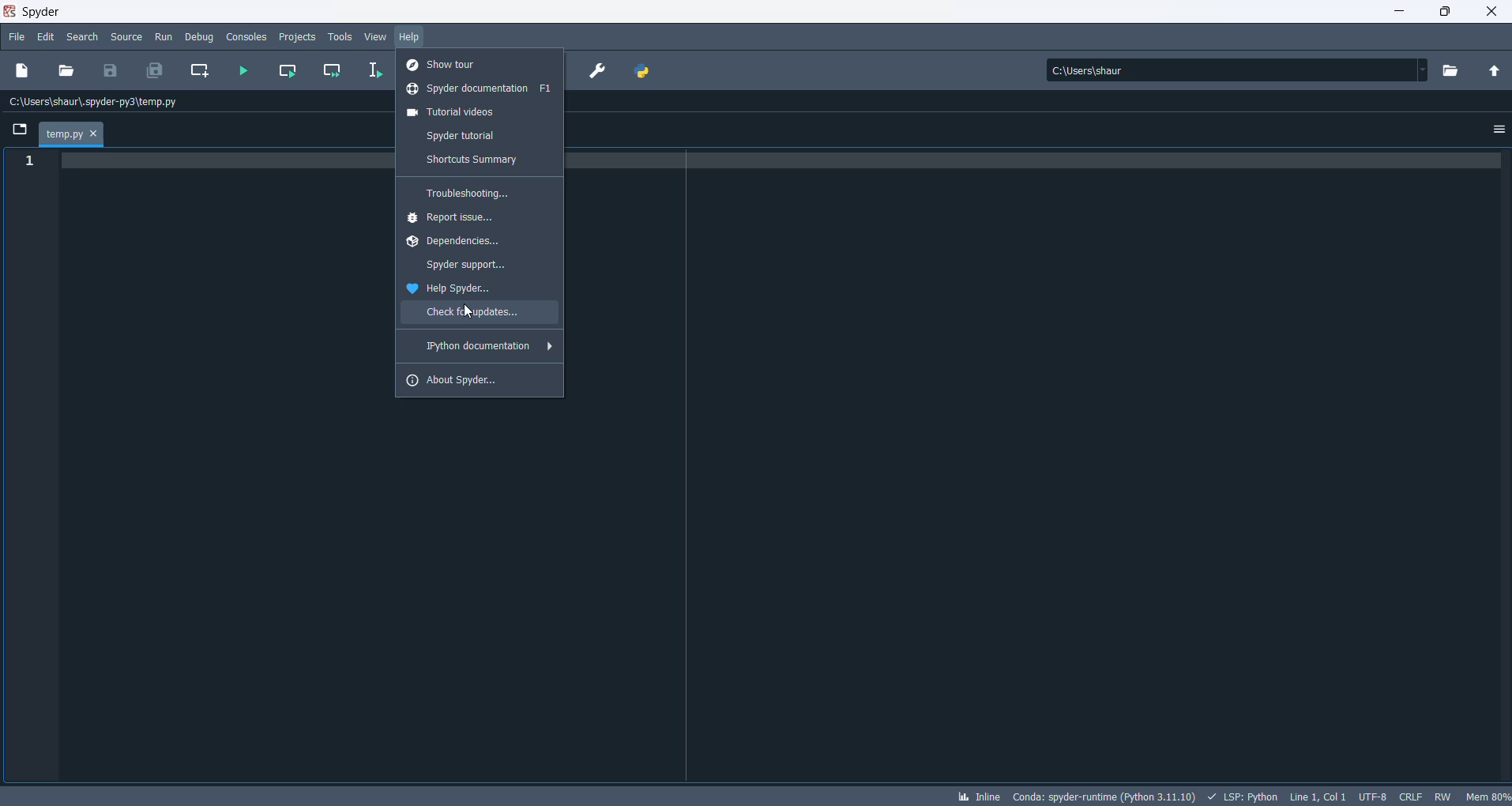 The image size is (1512, 806). Describe the element at coordinates (483, 62) in the screenshot. I see `Show tour` at that location.